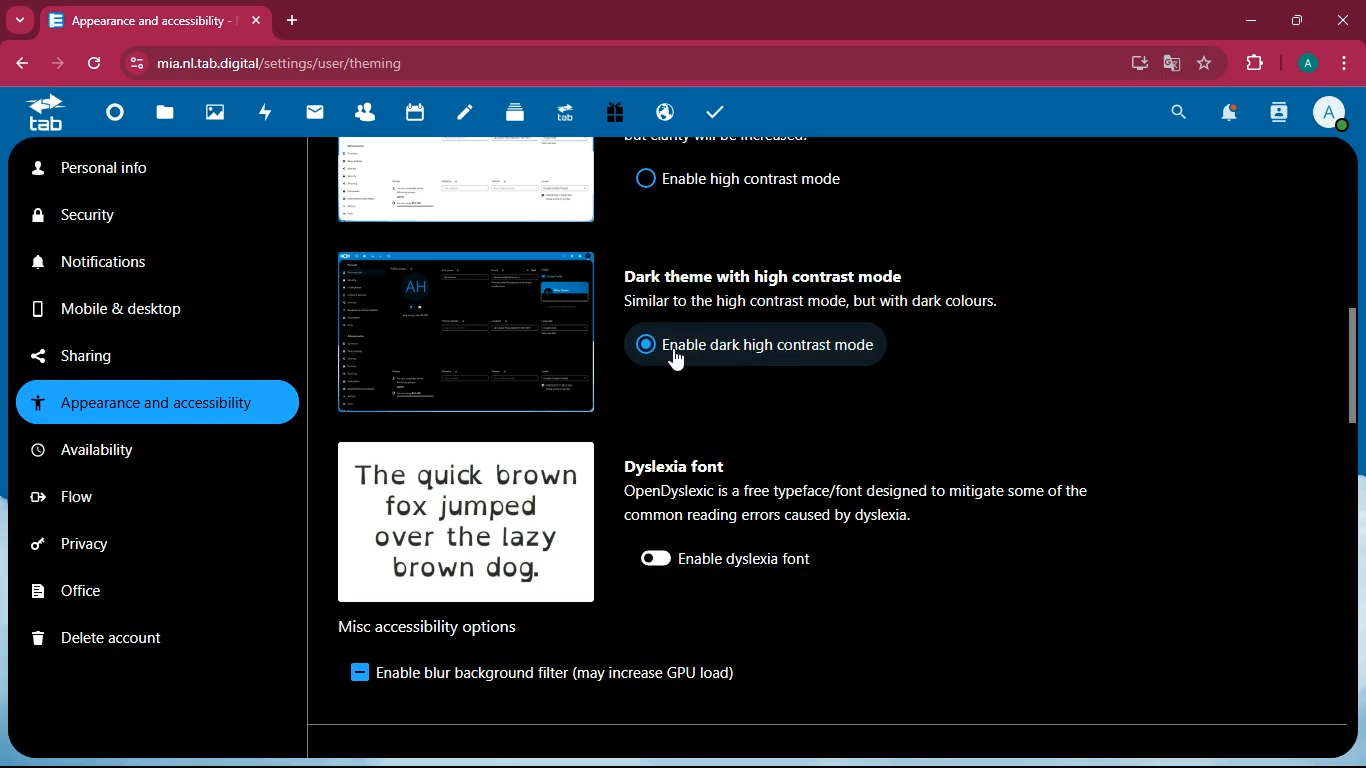  Describe the element at coordinates (720, 110) in the screenshot. I see `tasks` at that location.